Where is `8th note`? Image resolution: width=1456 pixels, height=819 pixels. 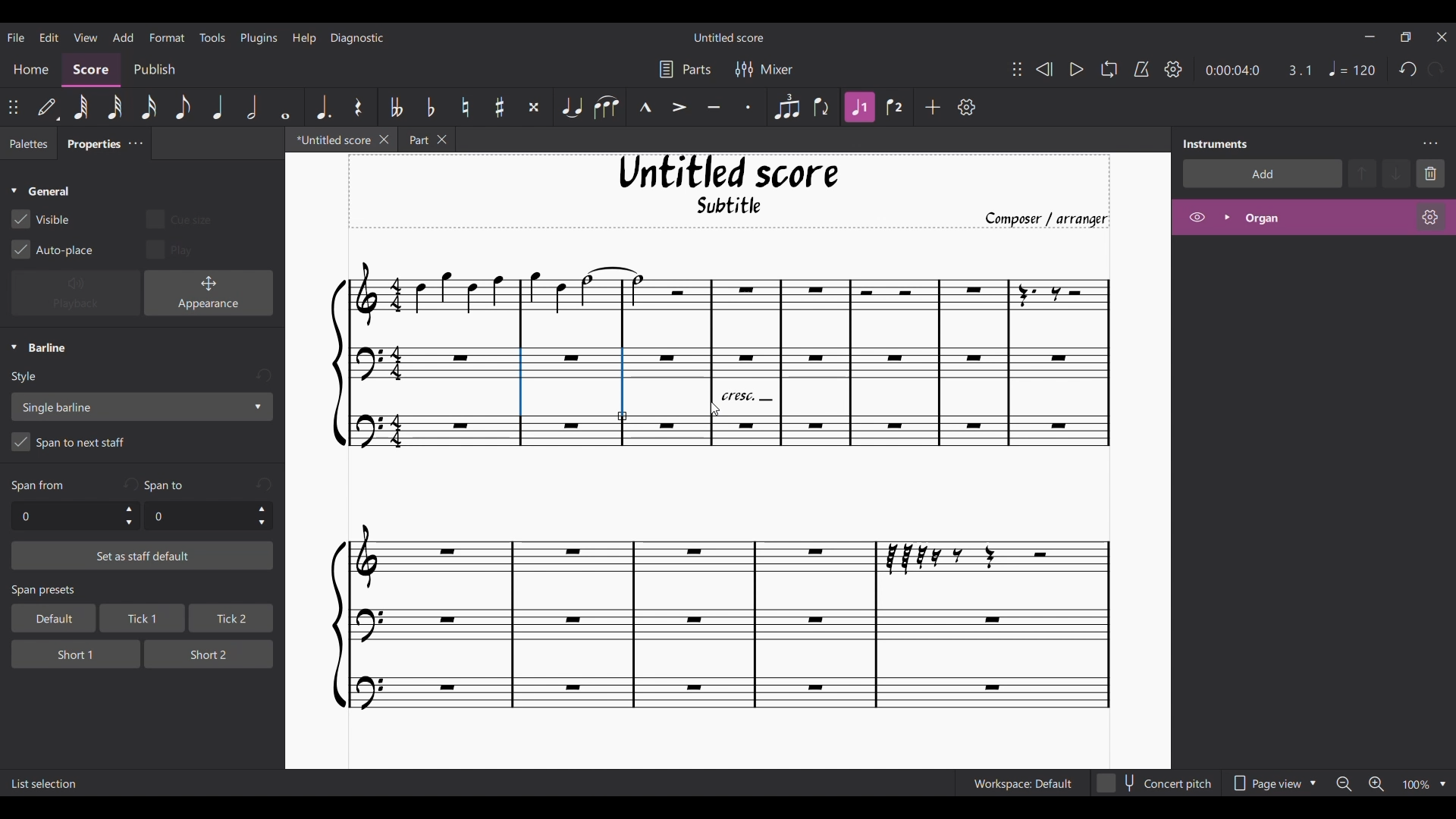 8th note is located at coordinates (181, 108).